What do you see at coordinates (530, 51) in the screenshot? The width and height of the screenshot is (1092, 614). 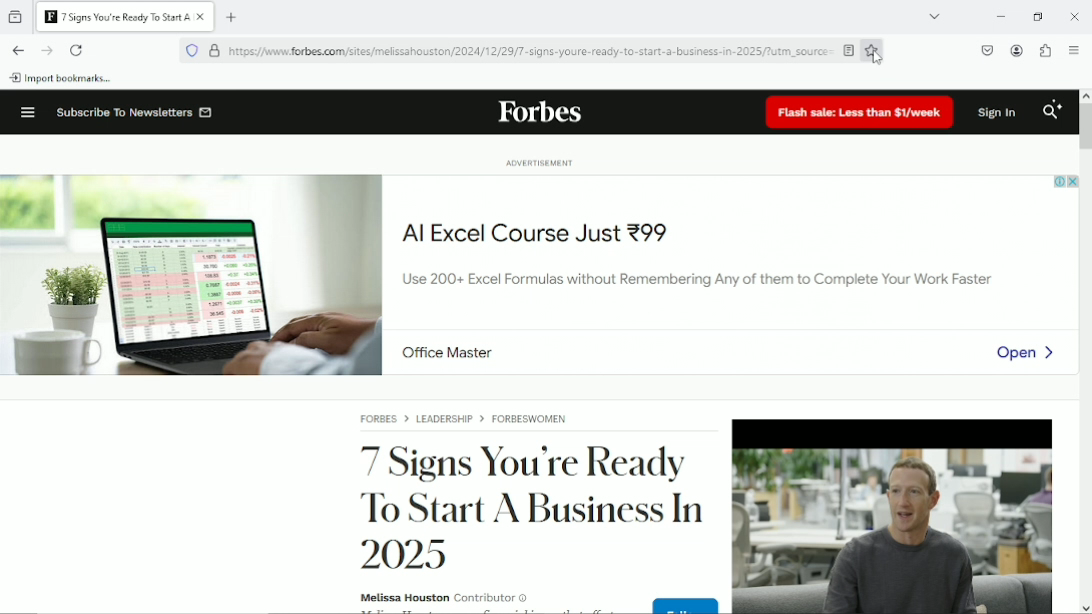 I see `https://www.forbes.com/sites/melissahouston/2024/12/29/7-signs-youre-ready-to-start-a-business-in-2025` at bounding box center [530, 51].